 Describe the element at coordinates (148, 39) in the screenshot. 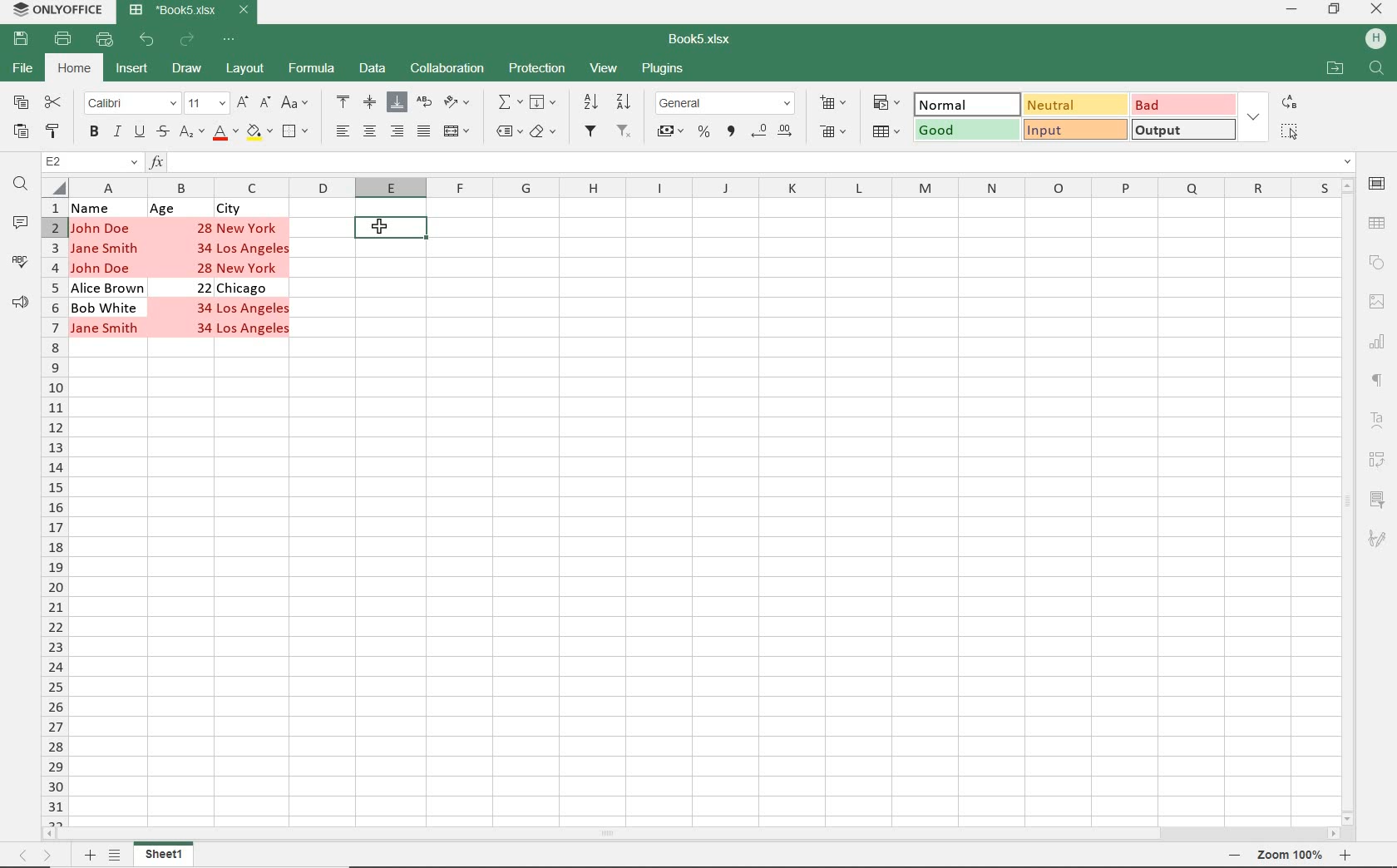

I see `UNDO` at that location.